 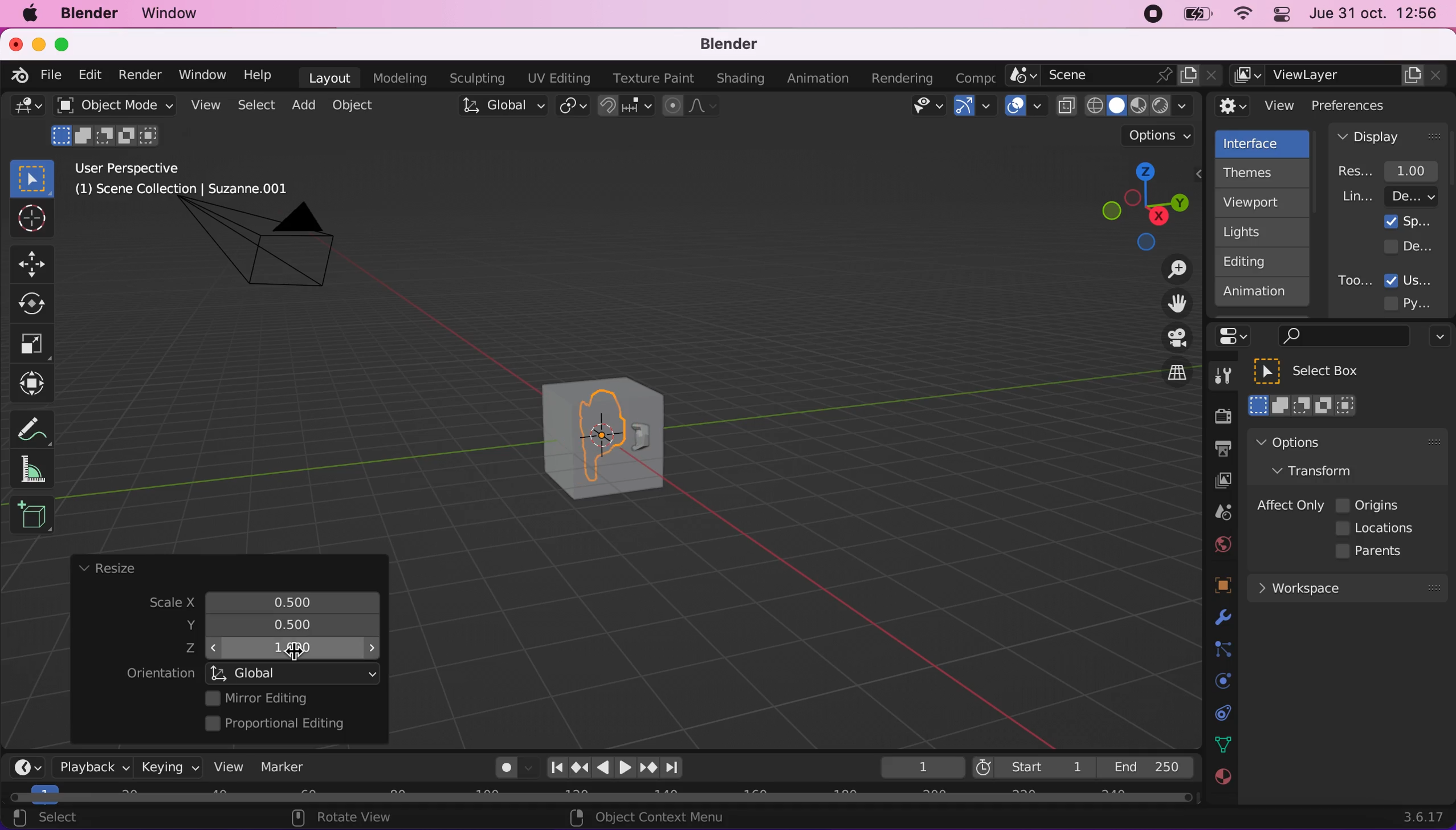 What do you see at coordinates (139, 76) in the screenshot?
I see `render` at bounding box center [139, 76].